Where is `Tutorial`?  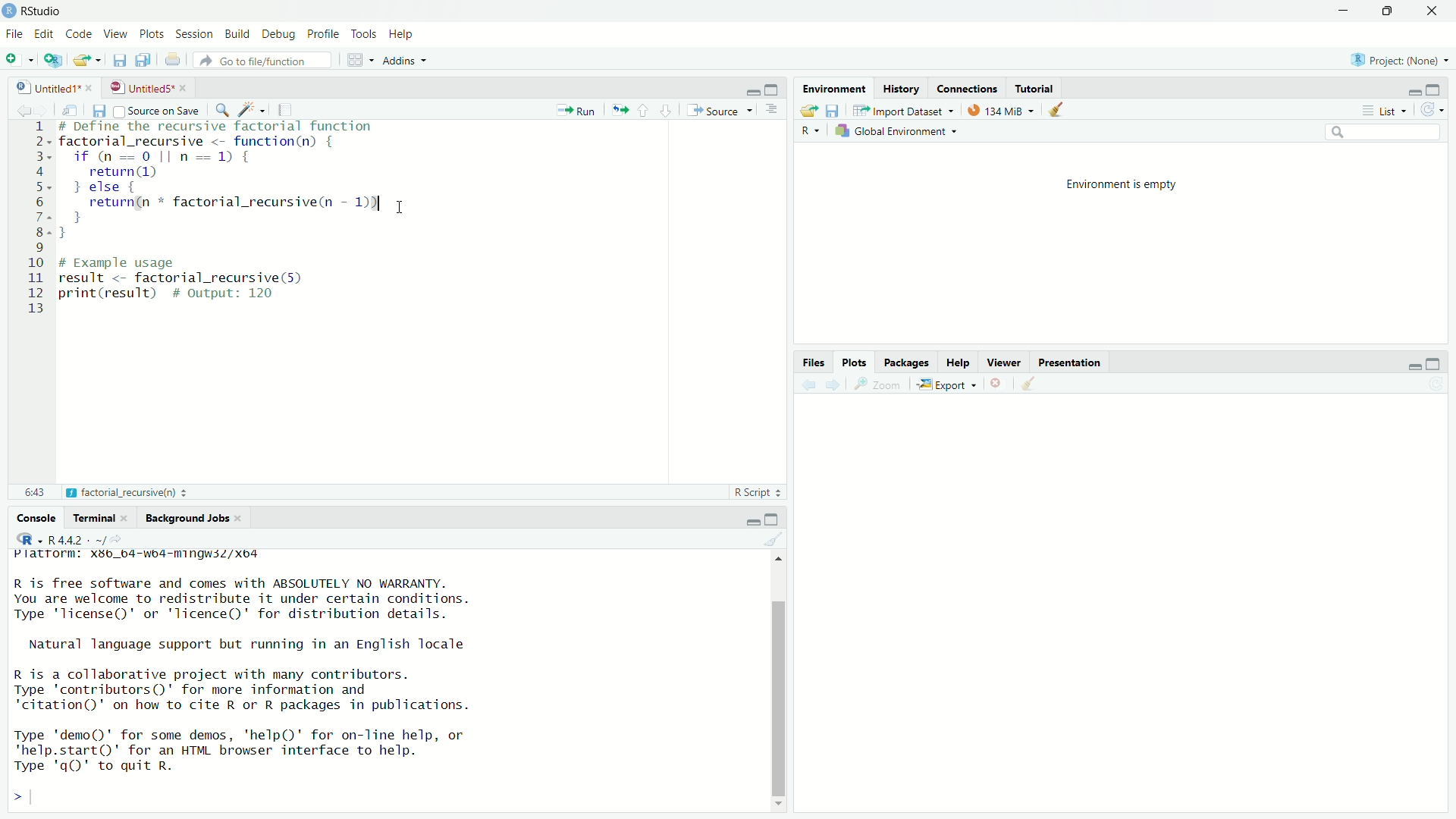
Tutorial is located at coordinates (1037, 86).